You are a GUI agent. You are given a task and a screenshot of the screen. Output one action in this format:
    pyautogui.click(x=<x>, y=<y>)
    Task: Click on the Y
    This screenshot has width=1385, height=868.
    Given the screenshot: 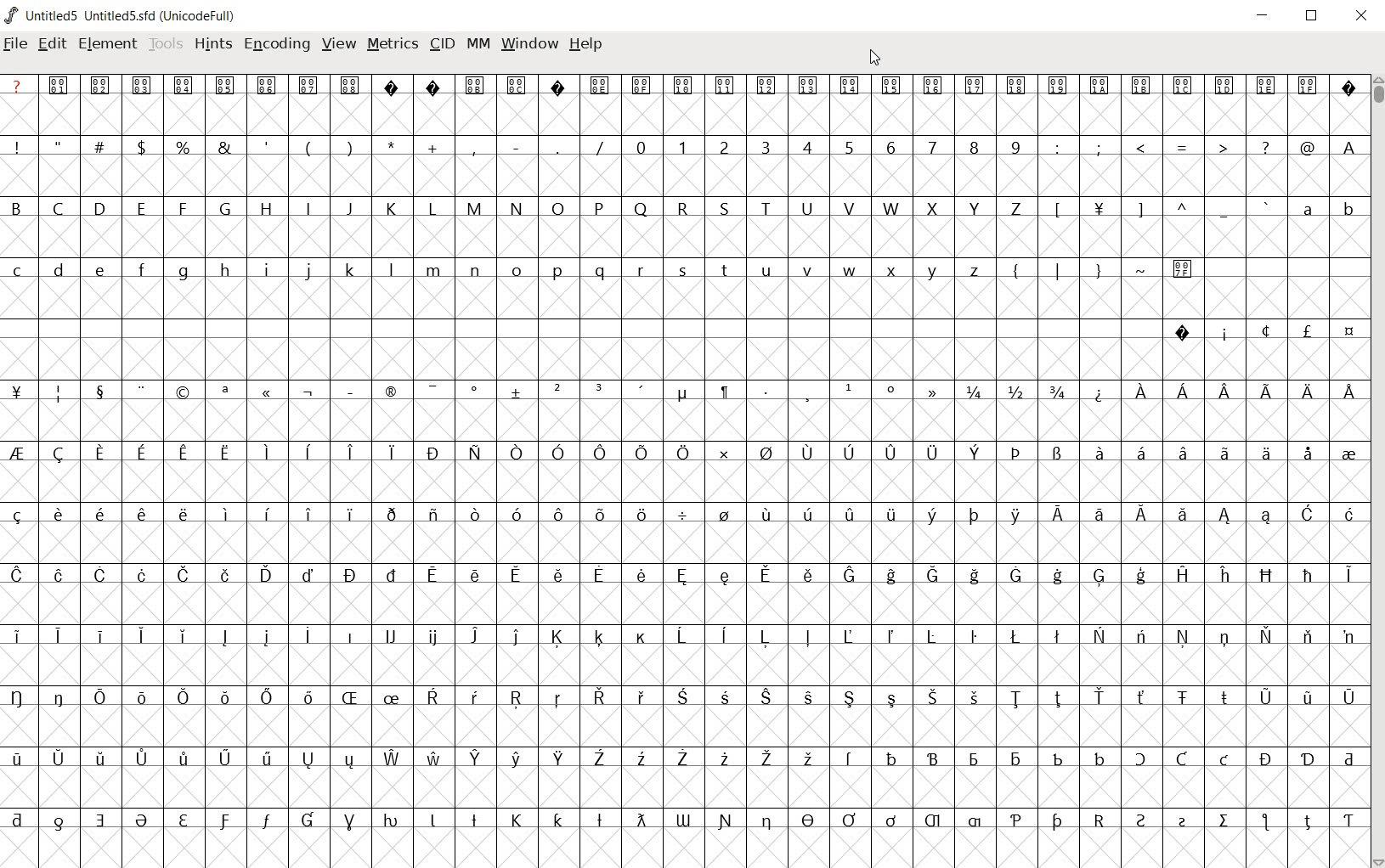 What is the action you would take?
    pyautogui.click(x=973, y=208)
    